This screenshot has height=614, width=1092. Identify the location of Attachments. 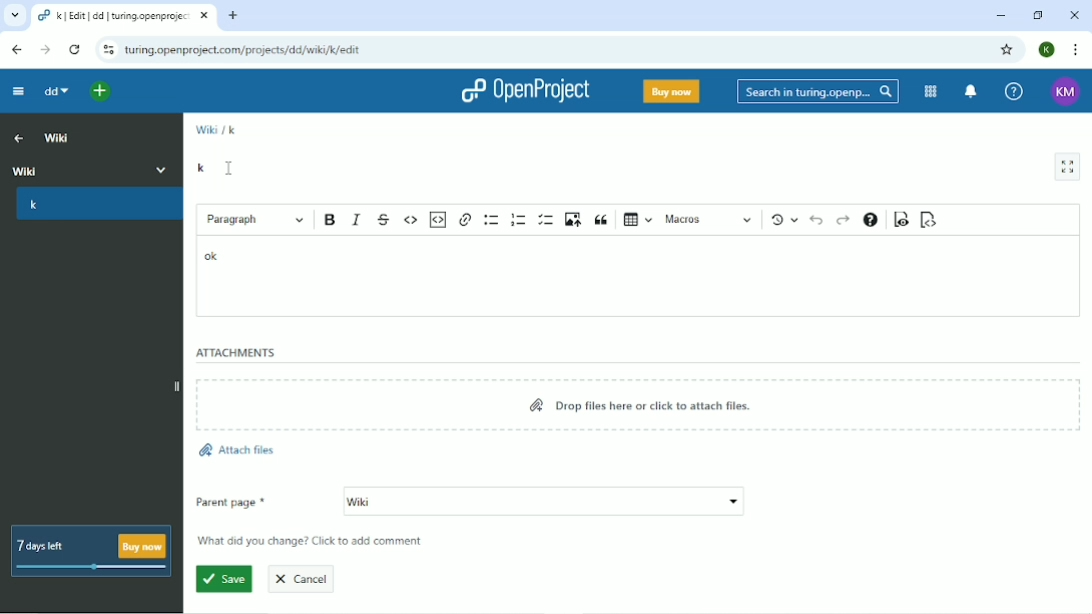
(237, 352).